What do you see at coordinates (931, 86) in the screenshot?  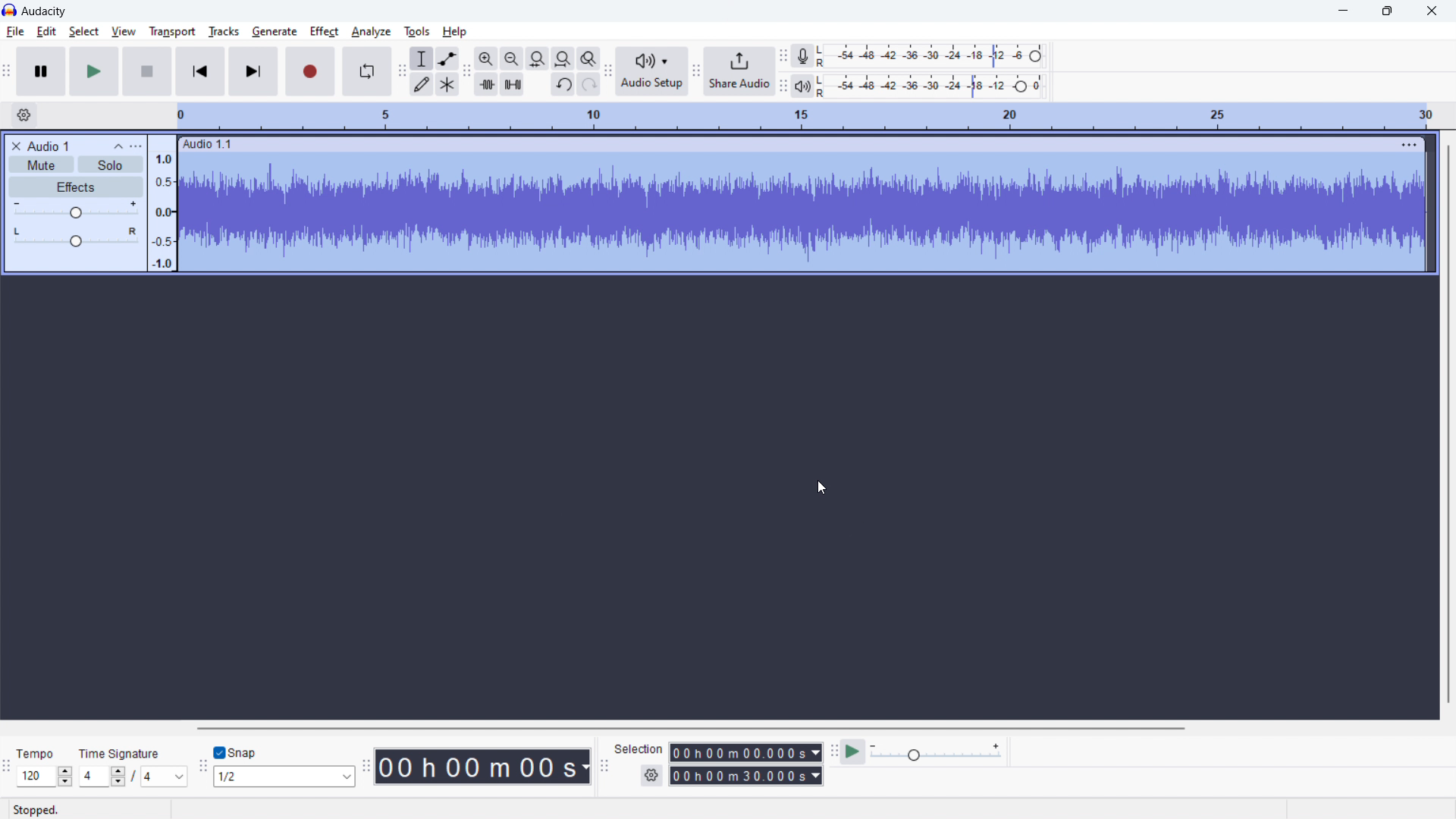 I see `playback level` at bounding box center [931, 86].